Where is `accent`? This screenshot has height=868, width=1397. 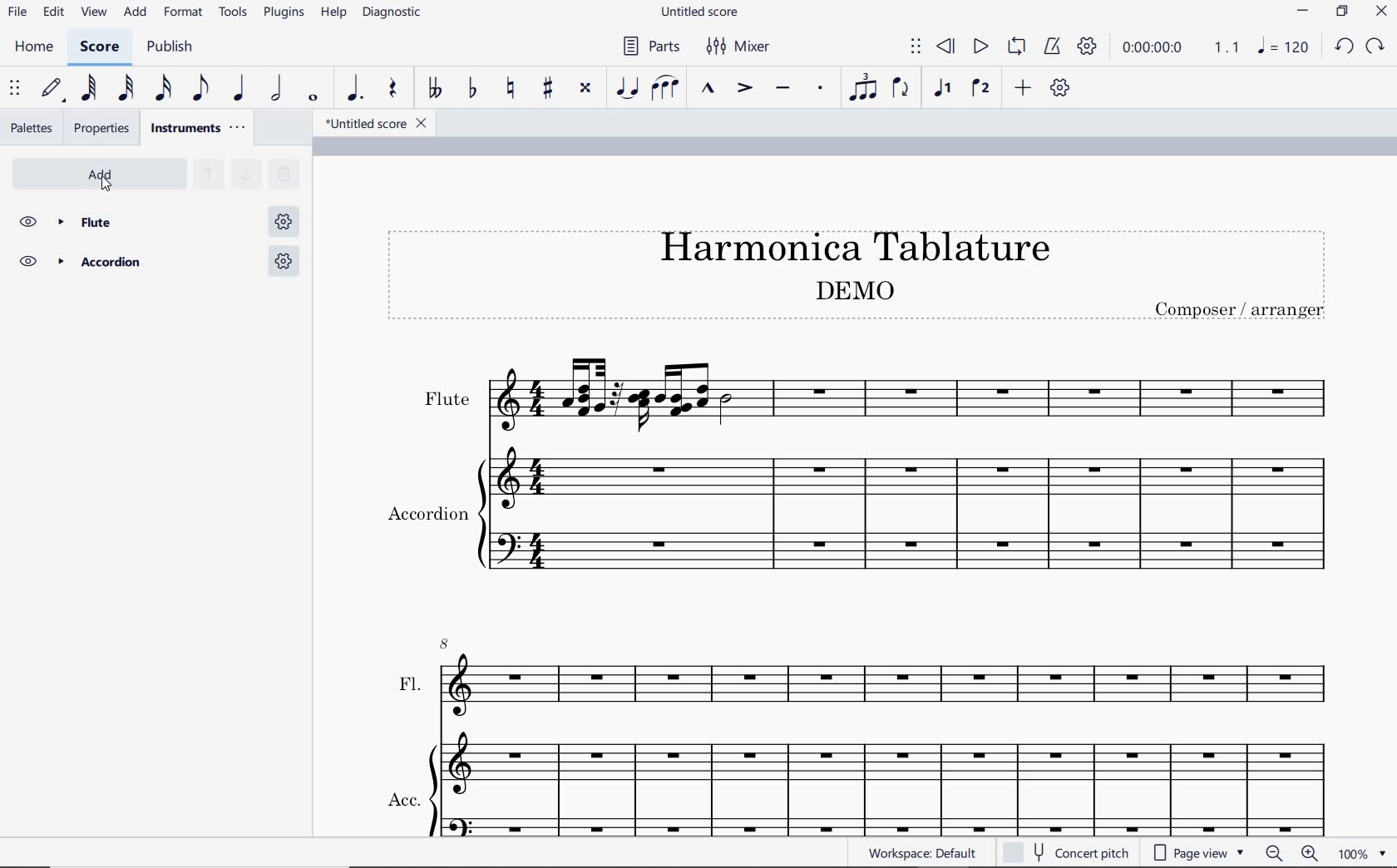
accent is located at coordinates (744, 89).